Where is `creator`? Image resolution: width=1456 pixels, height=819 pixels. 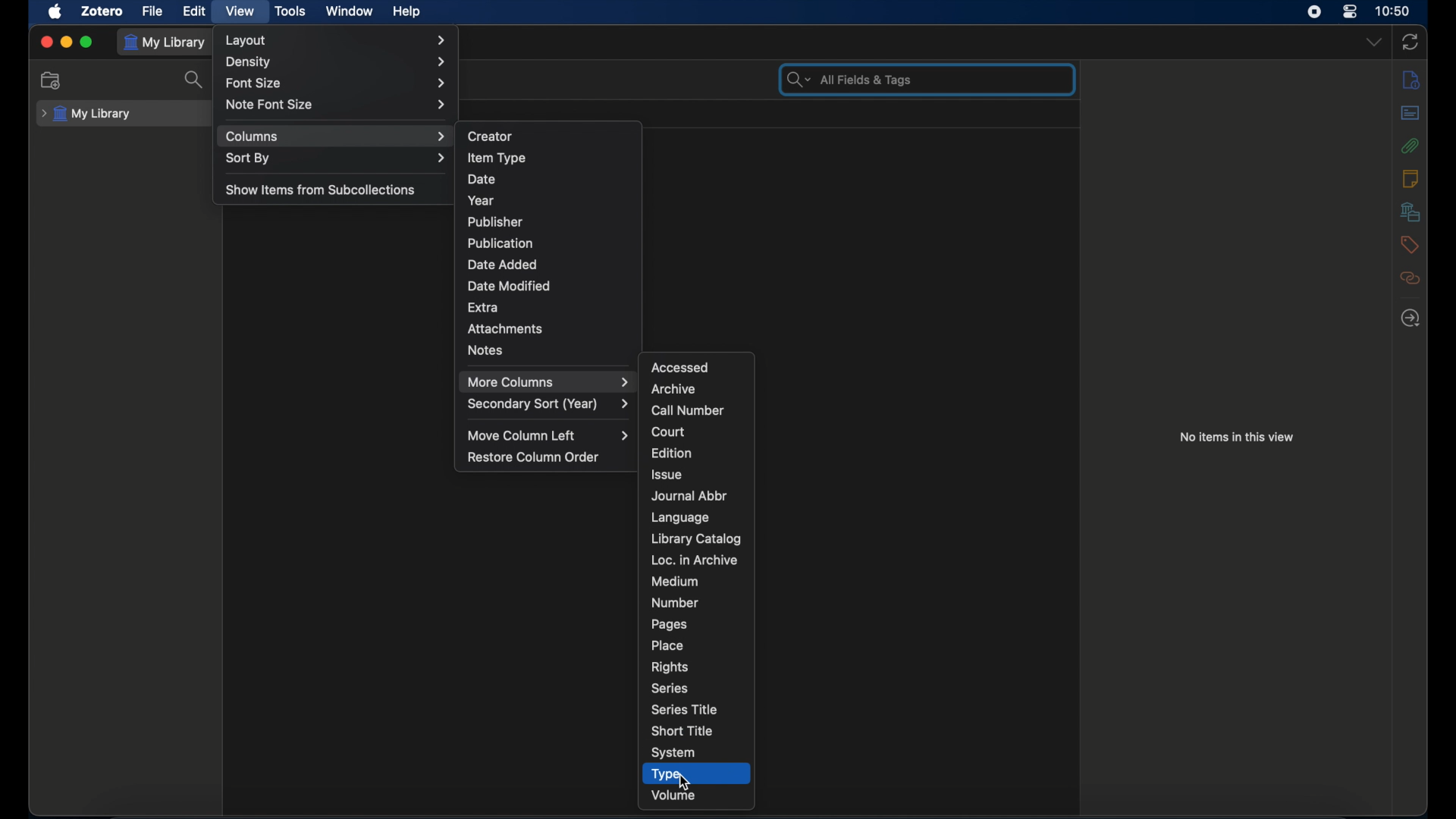 creator is located at coordinates (490, 135).